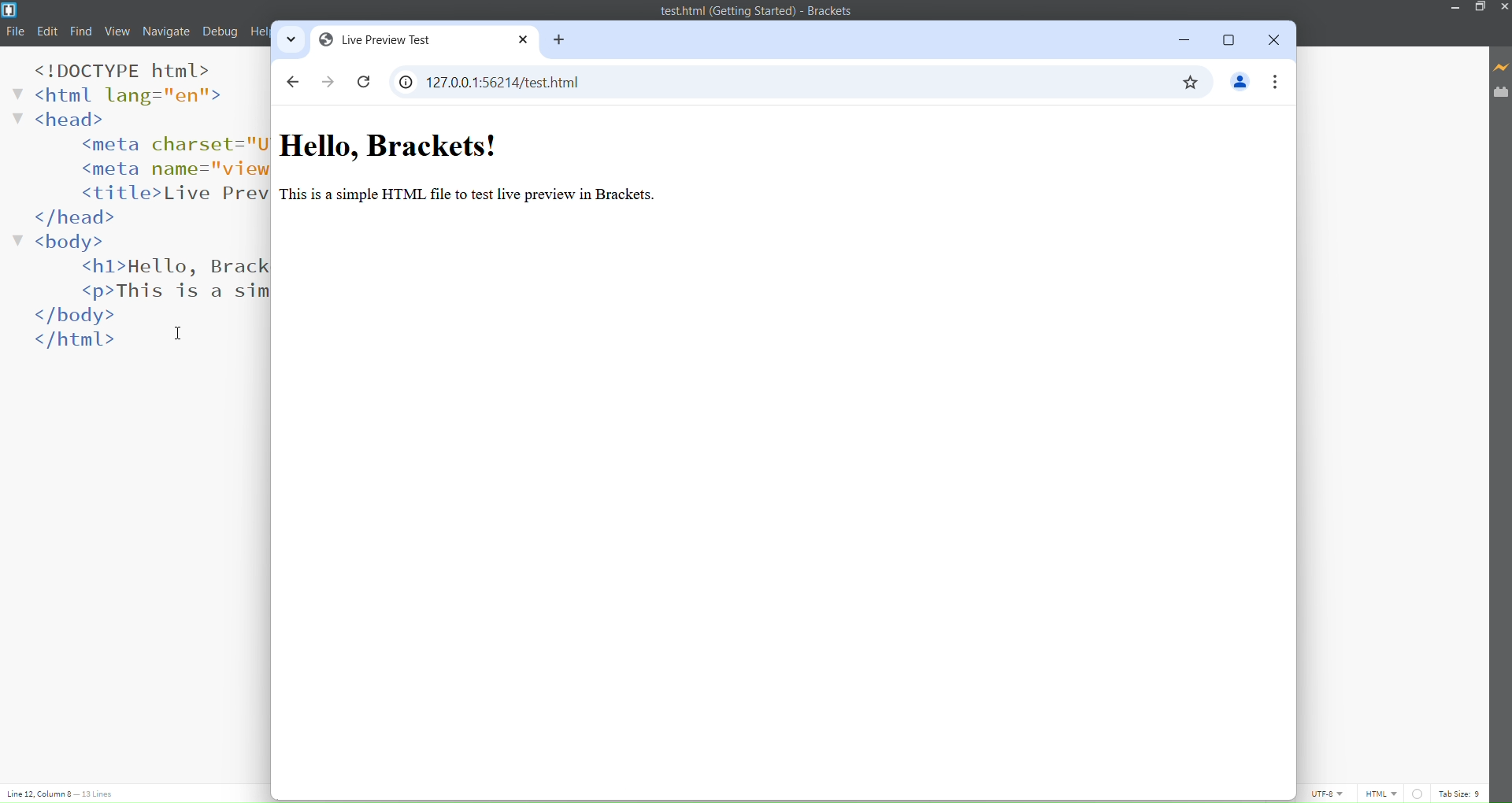 The width and height of the screenshot is (1512, 803). Describe the element at coordinates (218, 32) in the screenshot. I see `Debug` at that location.